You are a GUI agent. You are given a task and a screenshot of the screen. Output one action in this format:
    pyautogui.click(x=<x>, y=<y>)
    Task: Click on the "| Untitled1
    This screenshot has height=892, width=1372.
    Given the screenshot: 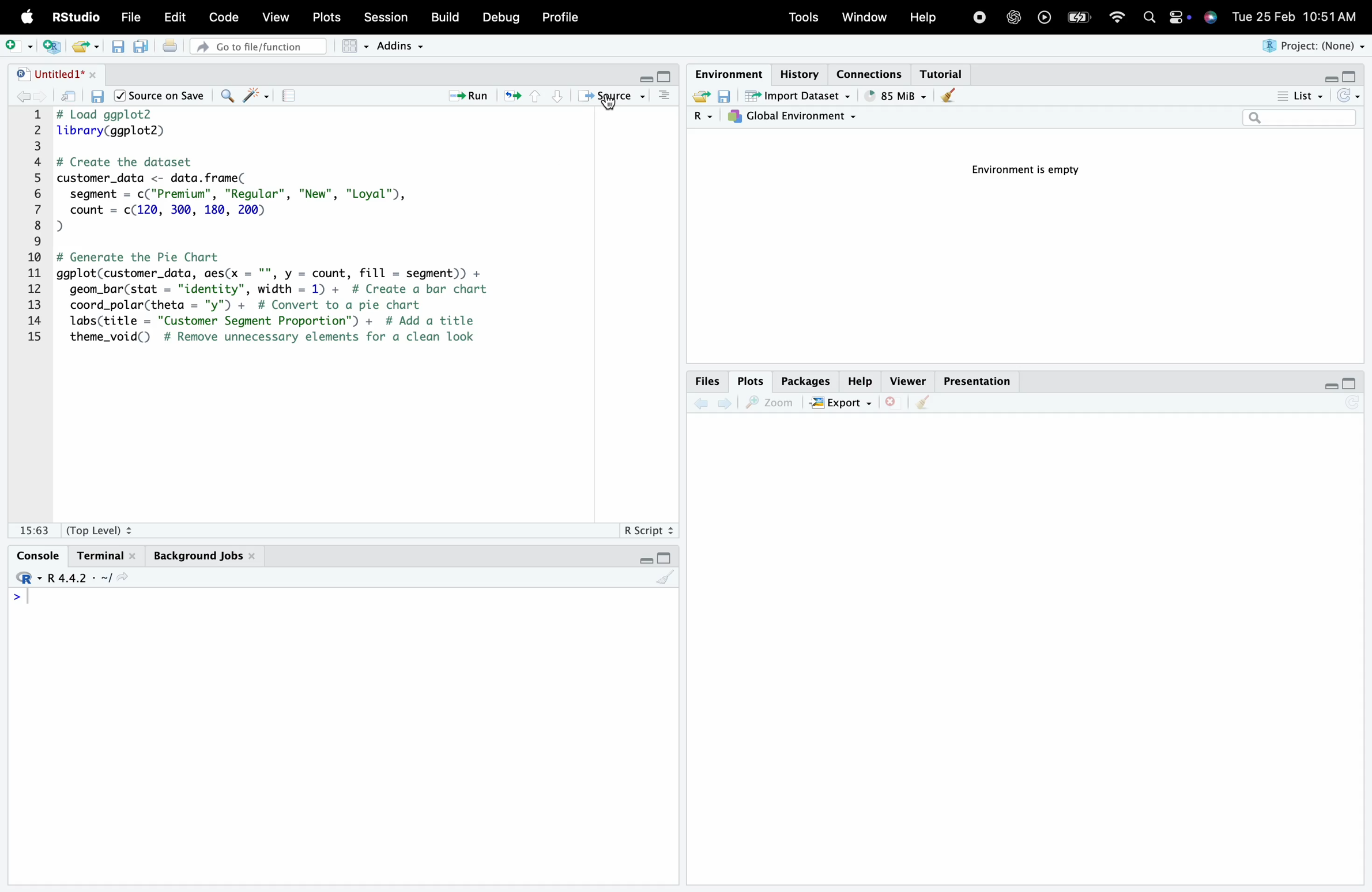 What is the action you would take?
    pyautogui.click(x=55, y=75)
    